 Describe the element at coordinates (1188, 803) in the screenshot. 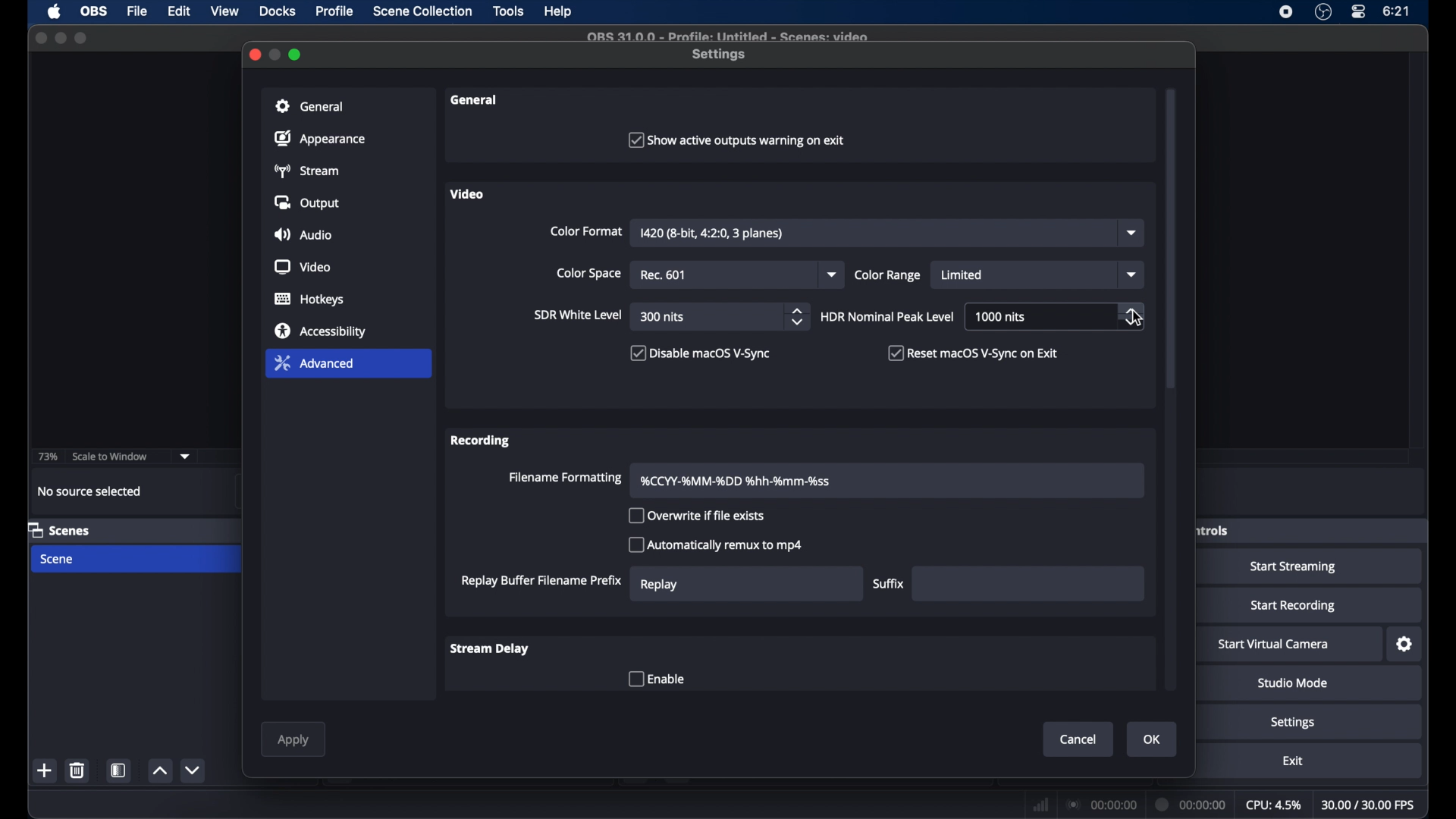

I see `duration` at that location.